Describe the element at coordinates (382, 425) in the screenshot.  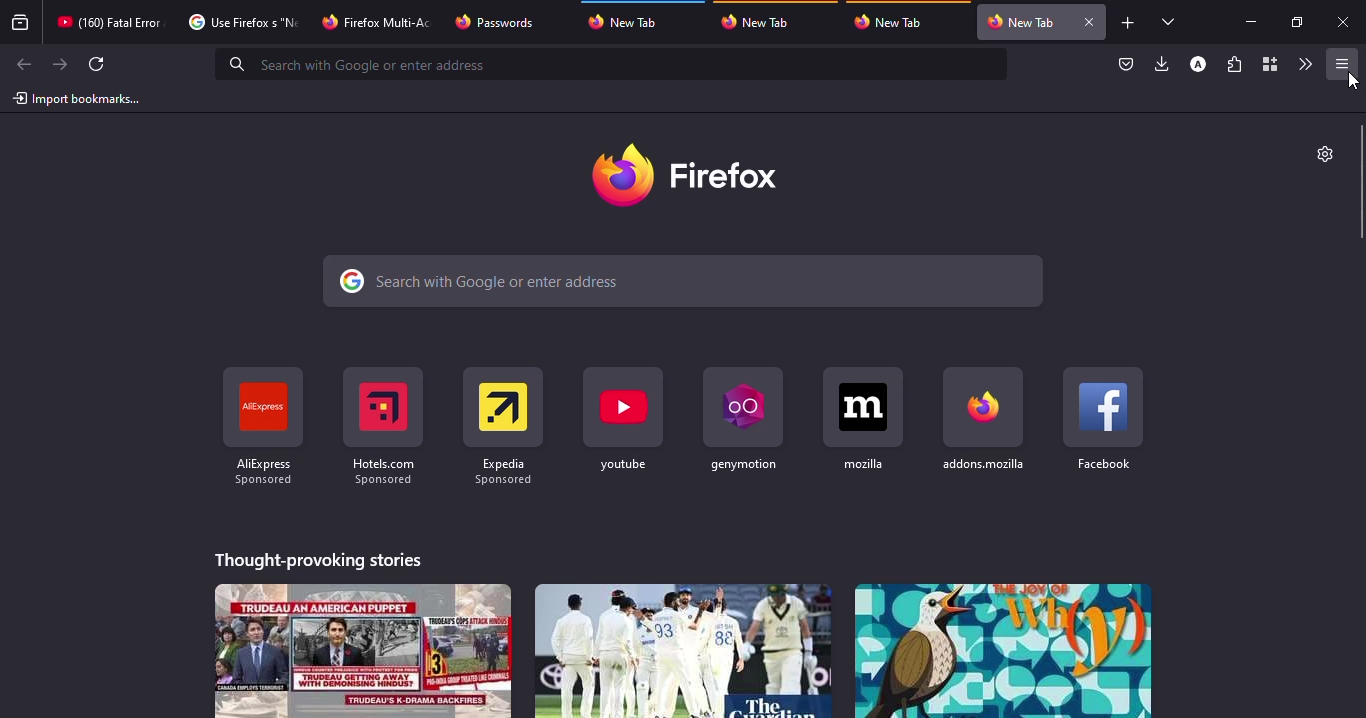
I see `shortcut` at that location.